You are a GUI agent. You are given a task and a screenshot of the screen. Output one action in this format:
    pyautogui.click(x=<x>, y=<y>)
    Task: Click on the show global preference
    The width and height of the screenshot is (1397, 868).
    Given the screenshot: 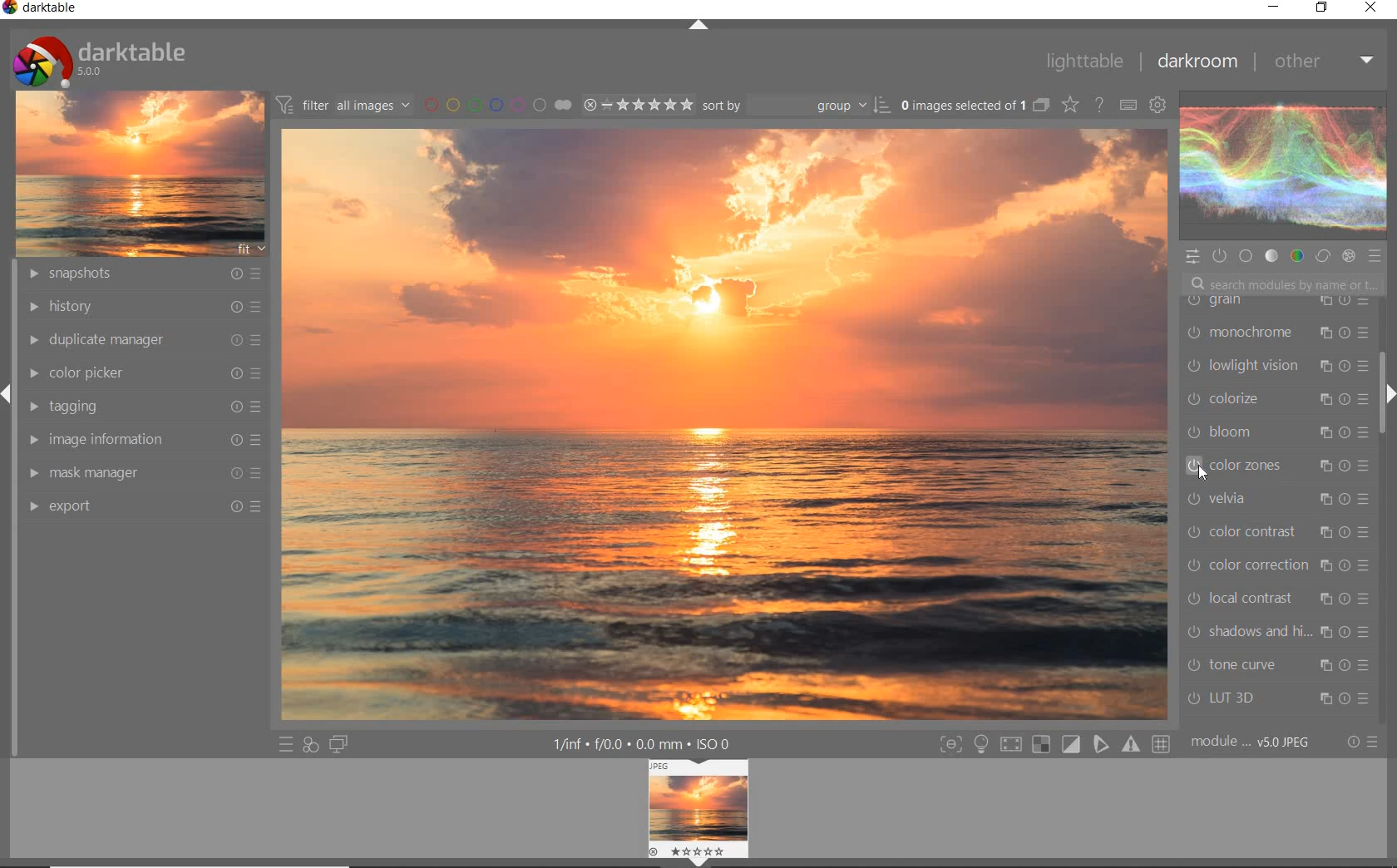 What is the action you would take?
    pyautogui.click(x=1159, y=104)
    